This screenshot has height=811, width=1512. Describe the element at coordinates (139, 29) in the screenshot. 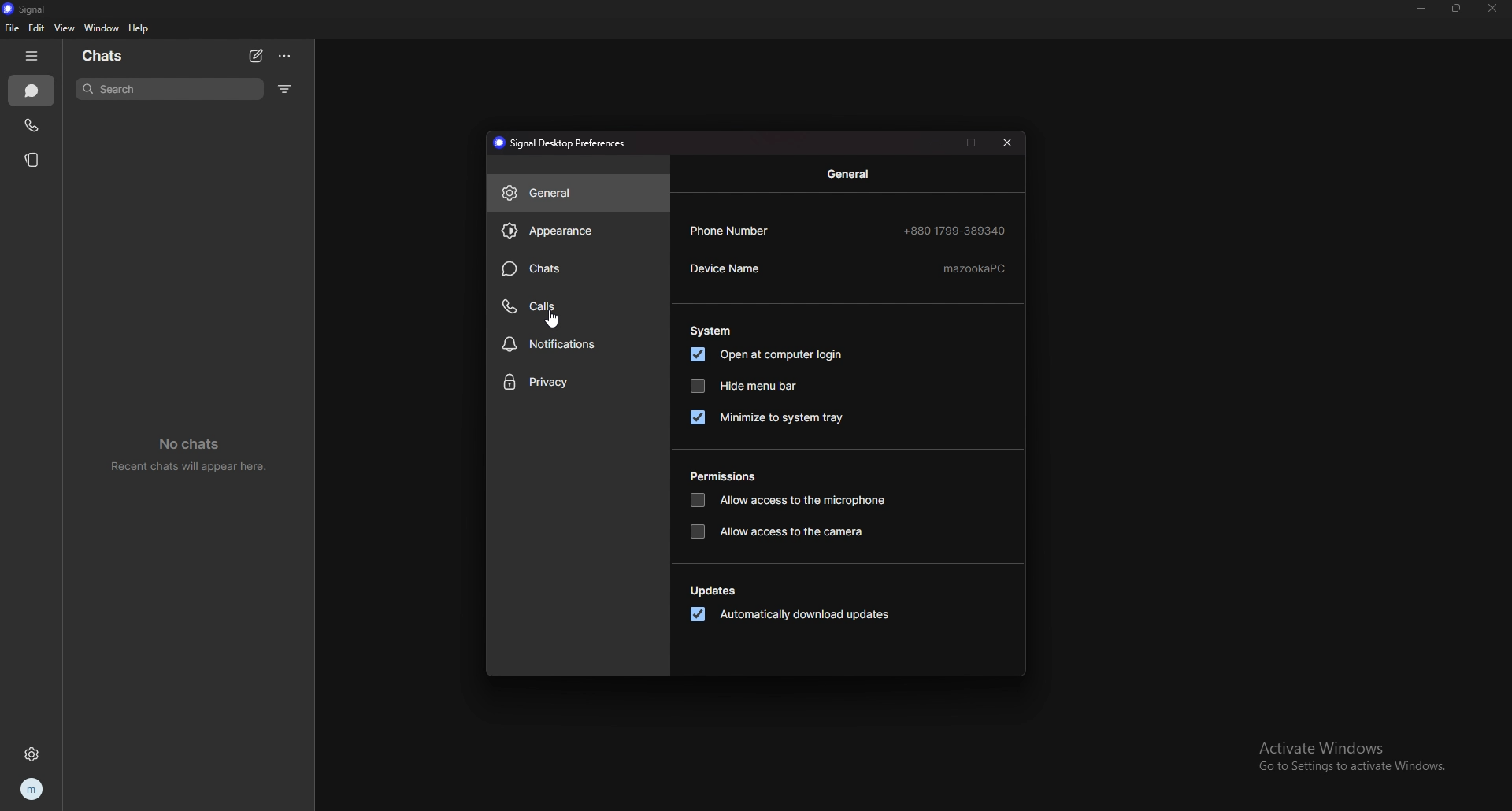

I see `help` at that location.